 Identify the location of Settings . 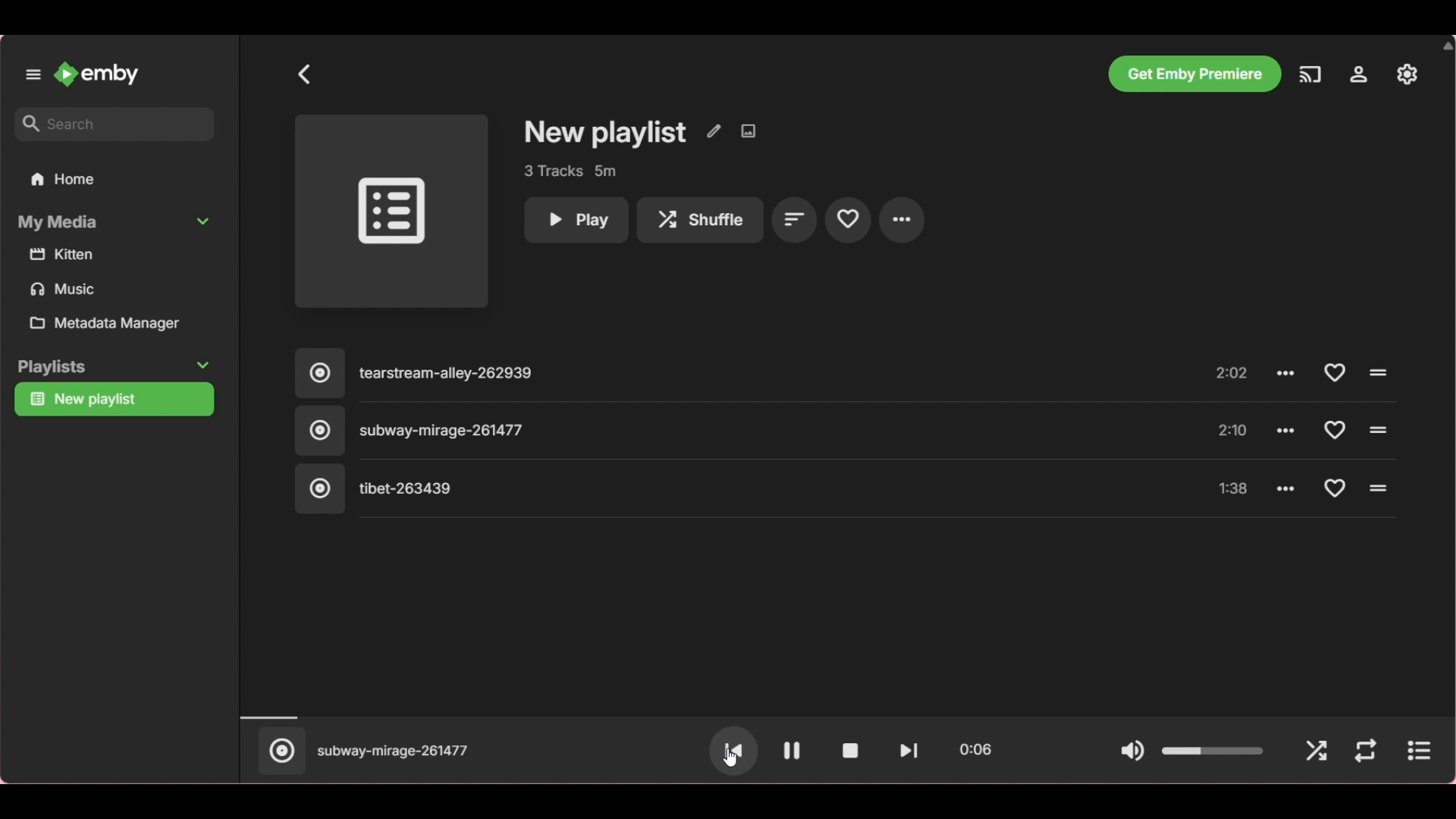
(1358, 74).